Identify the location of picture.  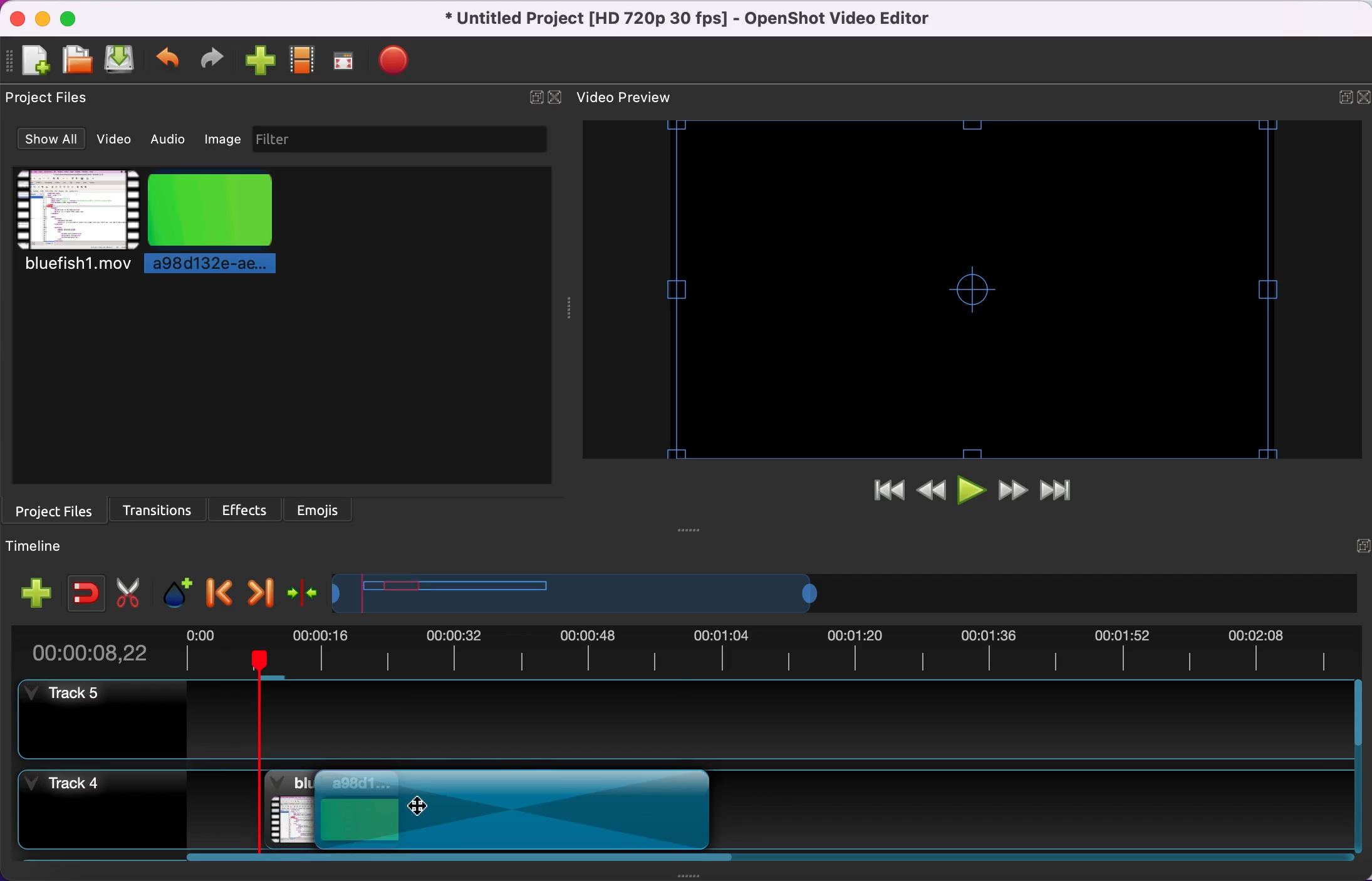
(226, 225).